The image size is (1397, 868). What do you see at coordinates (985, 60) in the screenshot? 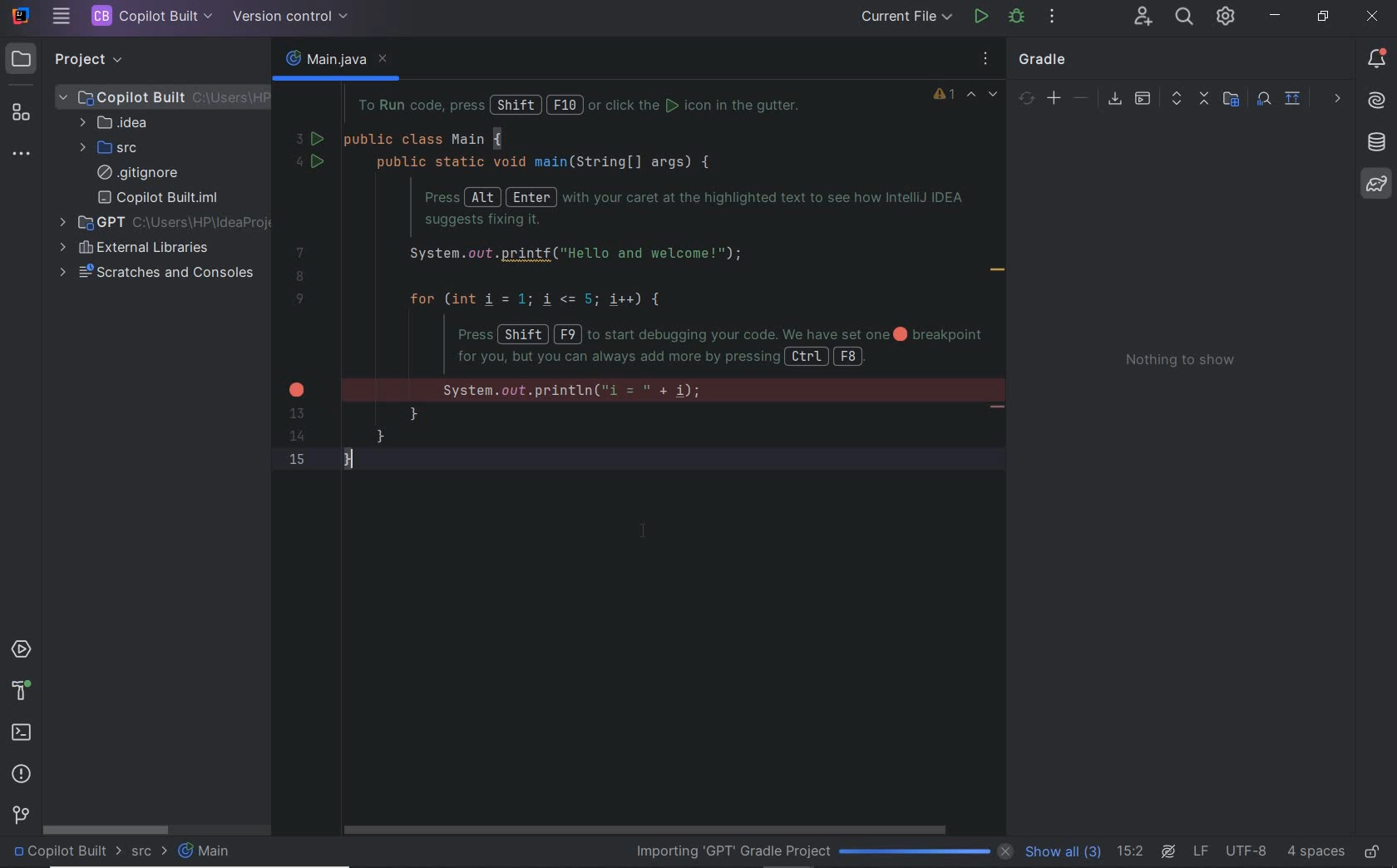
I see `options` at bounding box center [985, 60].